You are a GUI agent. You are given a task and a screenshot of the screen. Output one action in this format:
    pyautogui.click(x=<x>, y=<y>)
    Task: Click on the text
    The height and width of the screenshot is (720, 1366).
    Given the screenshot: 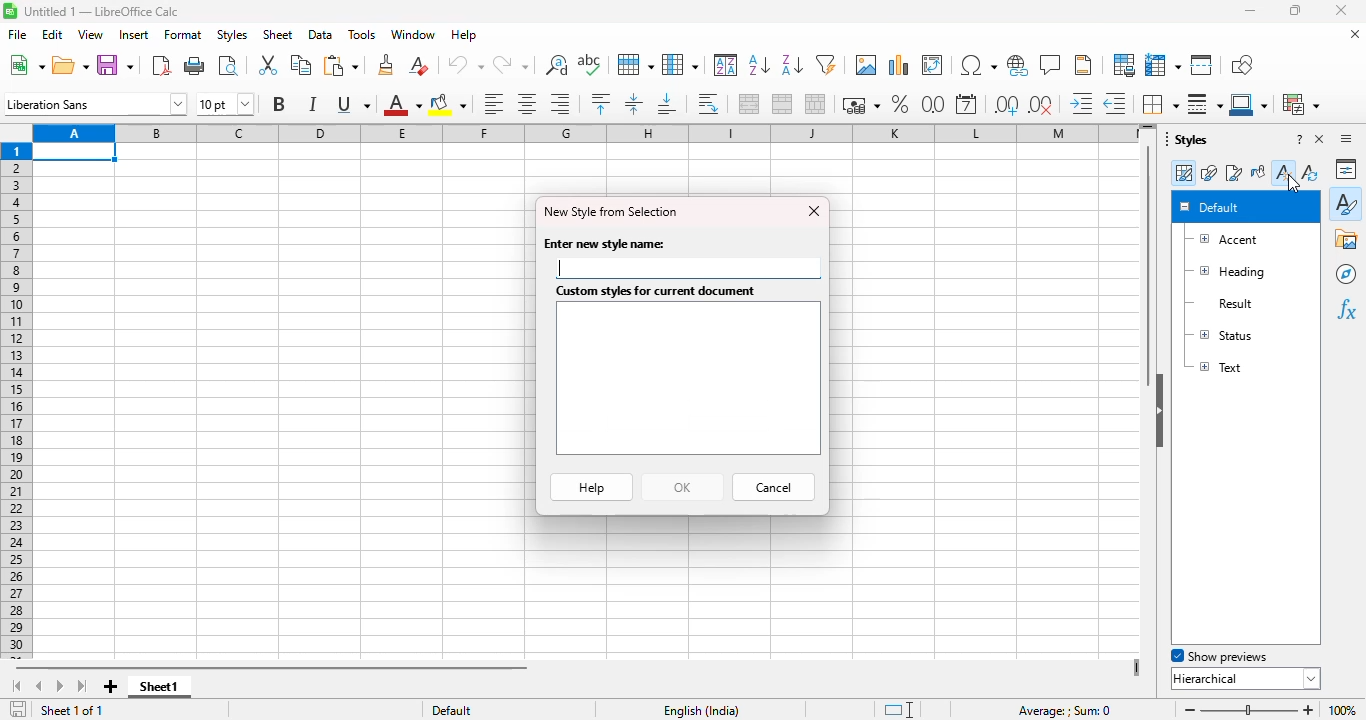 What is the action you would take?
    pyautogui.click(x=1217, y=366)
    